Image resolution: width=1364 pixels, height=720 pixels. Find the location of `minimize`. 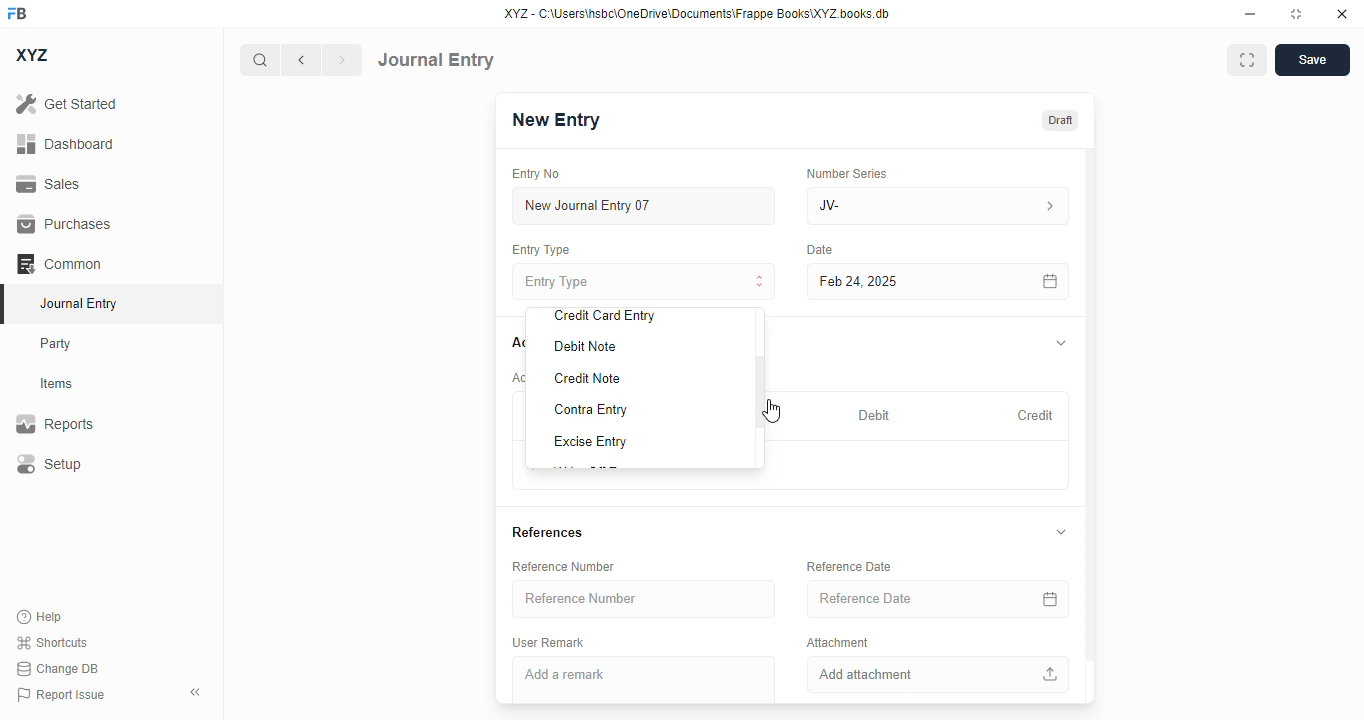

minimize is located at coordinates (1251, 14).